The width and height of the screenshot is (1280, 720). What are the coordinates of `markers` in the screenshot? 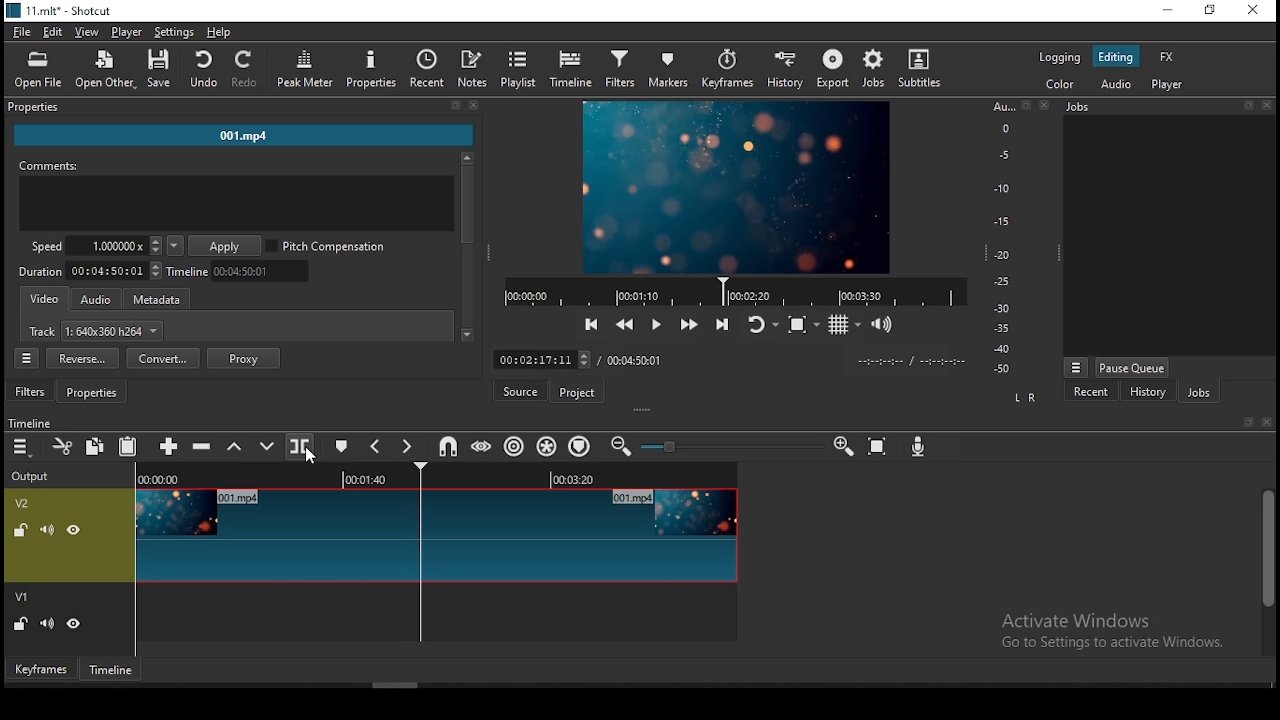 It's located at (672, 70).